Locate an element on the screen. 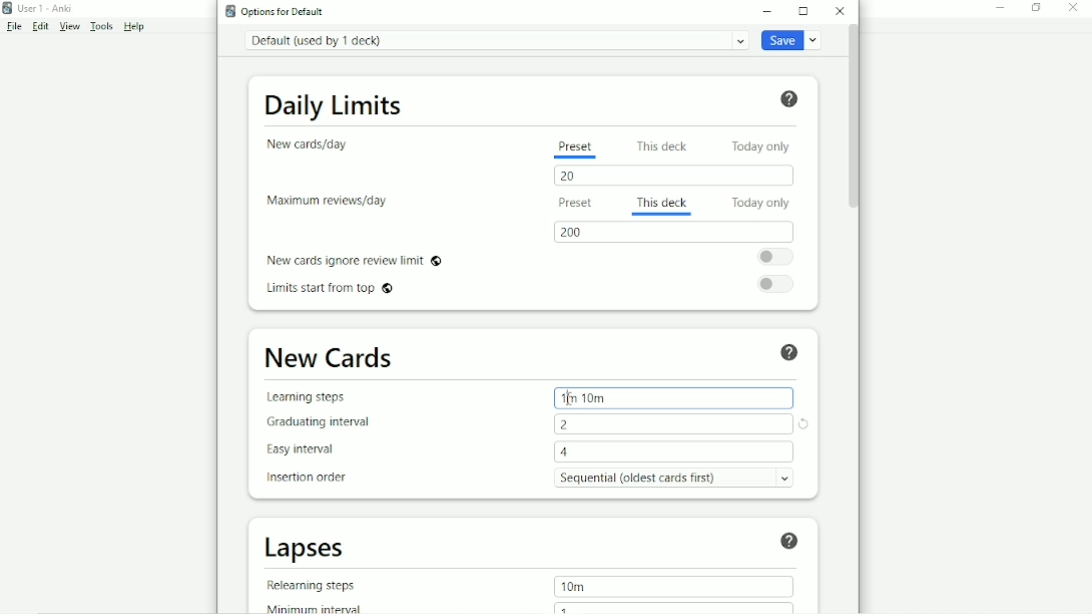  File is located at coordinates (16, 27).